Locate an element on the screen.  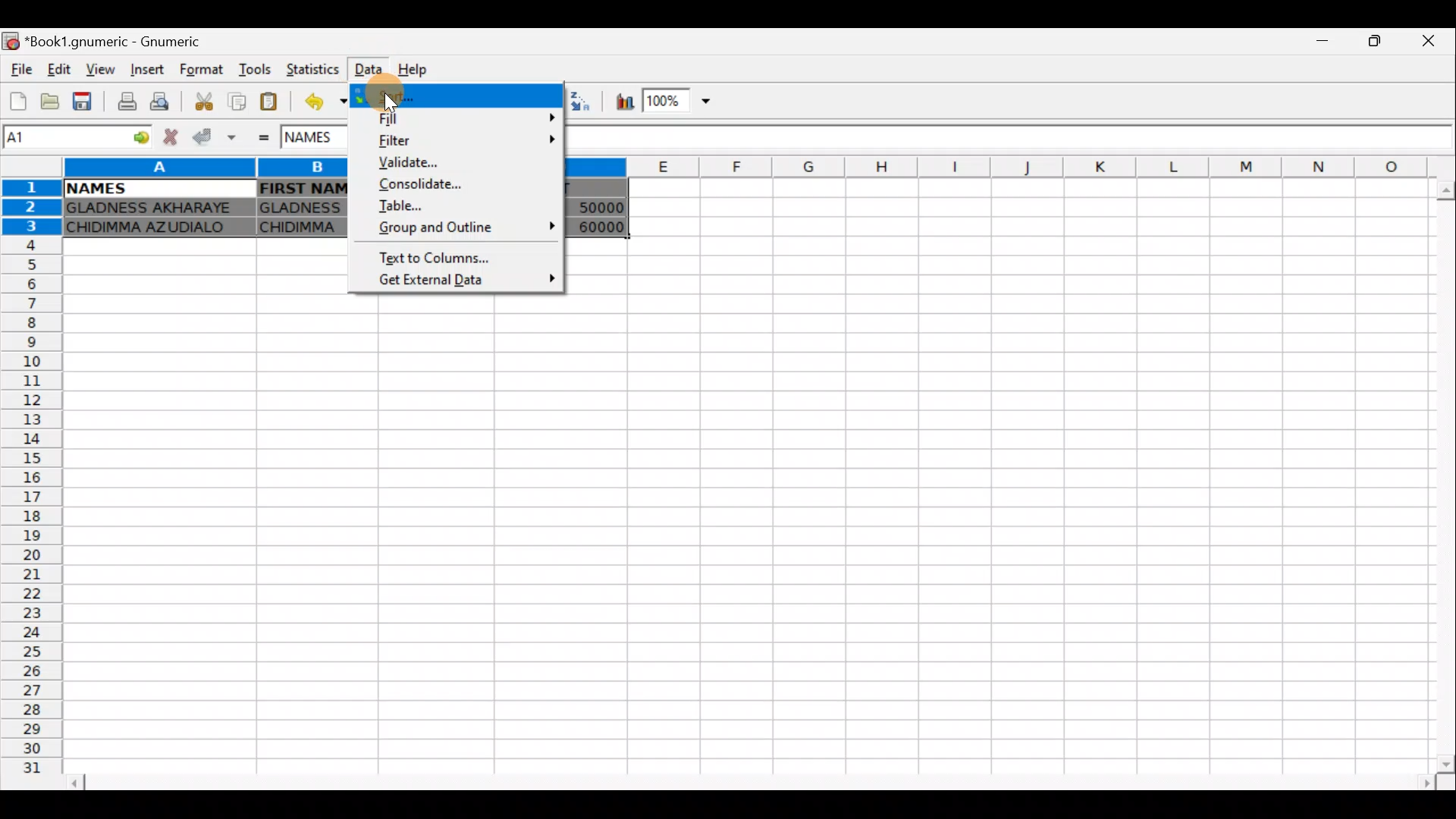
Go to is located at coordinates (136, 139).